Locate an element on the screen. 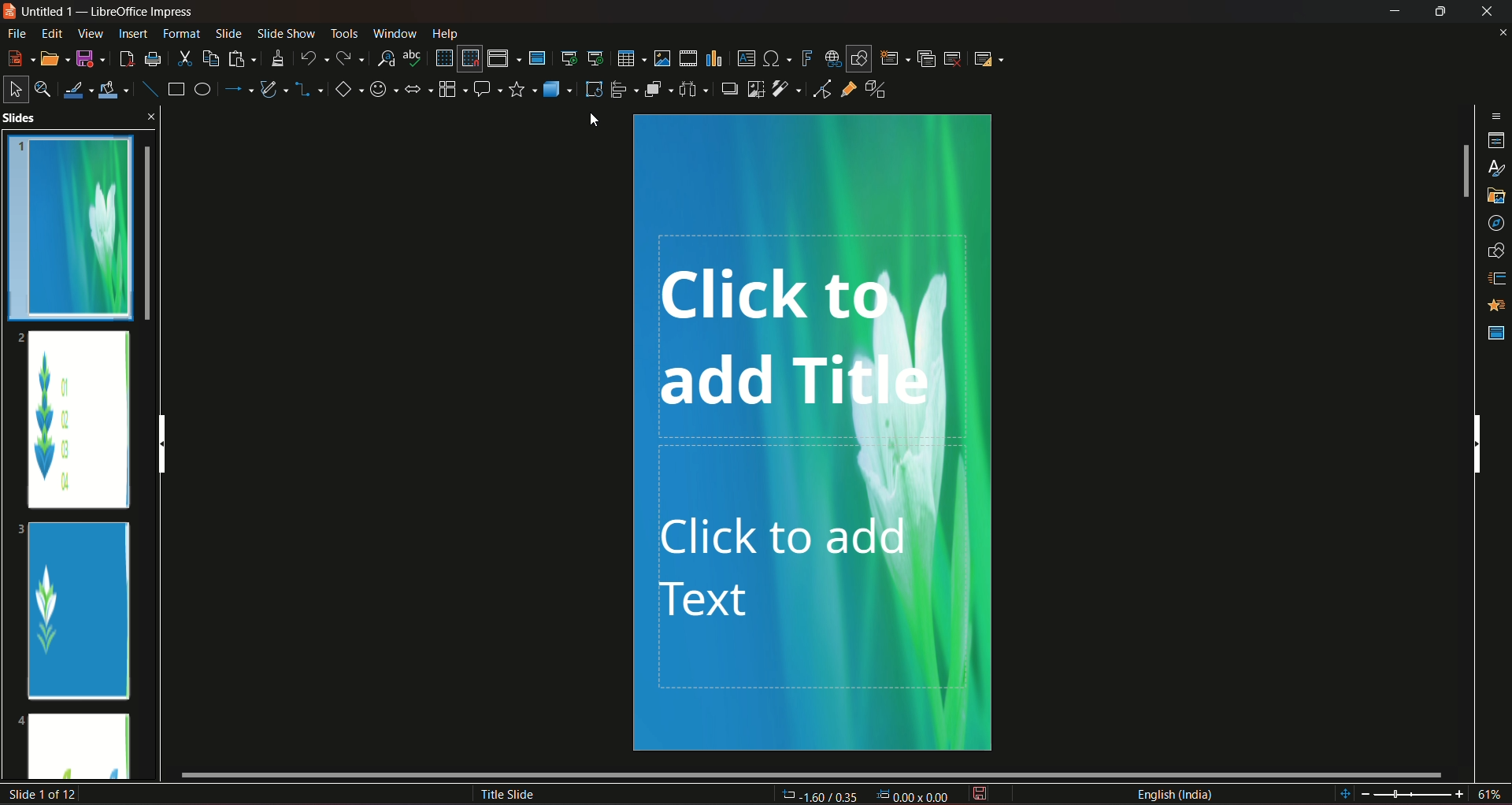 The width and height of the screenshot is (1512, 805). rotate is located at coordinates (592, 88).